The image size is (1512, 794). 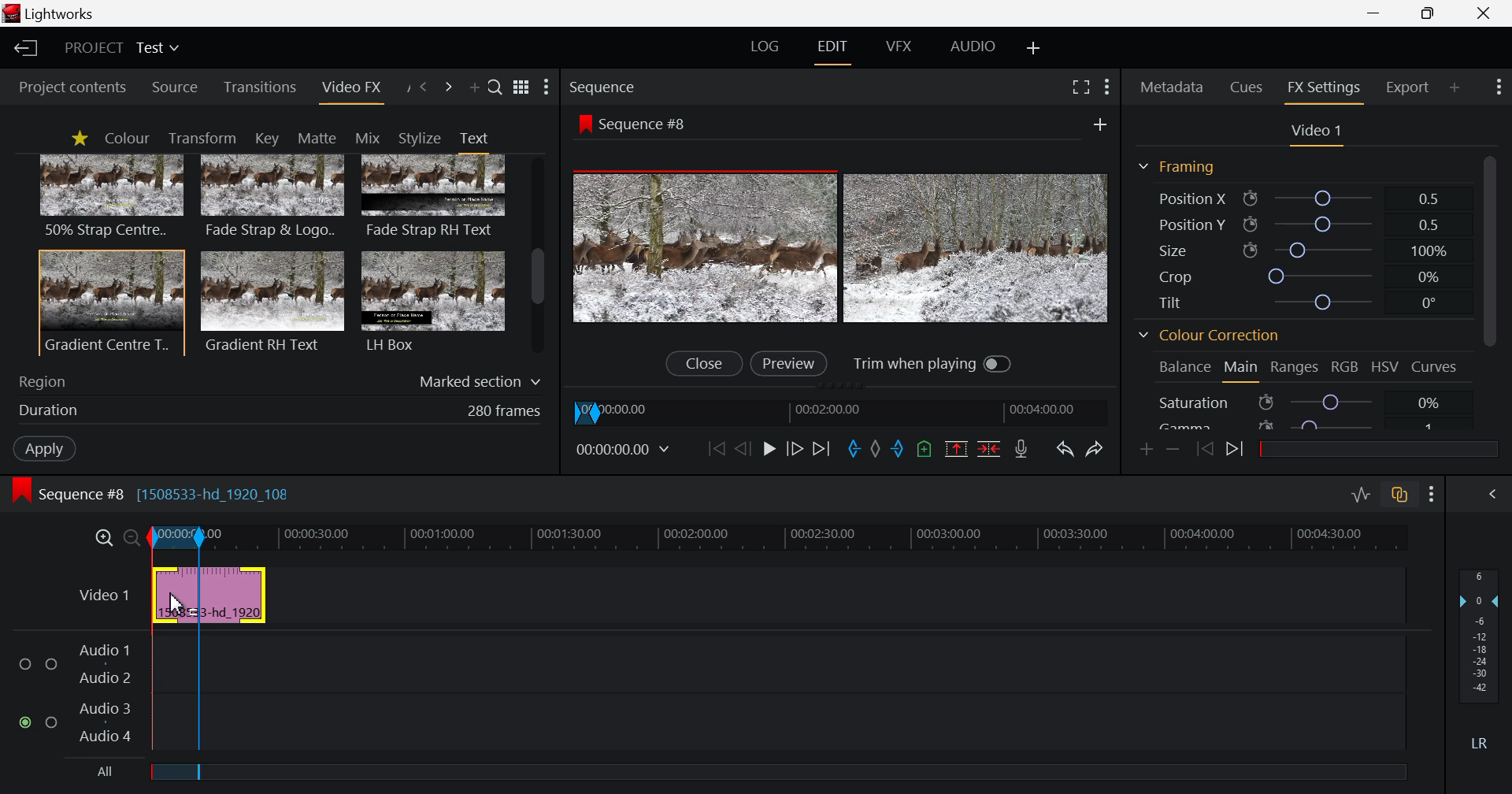 What do you see at coordinates (836, 48) in the screenshot?
I see `EDIT Layout` at bounding box center [836, 48].